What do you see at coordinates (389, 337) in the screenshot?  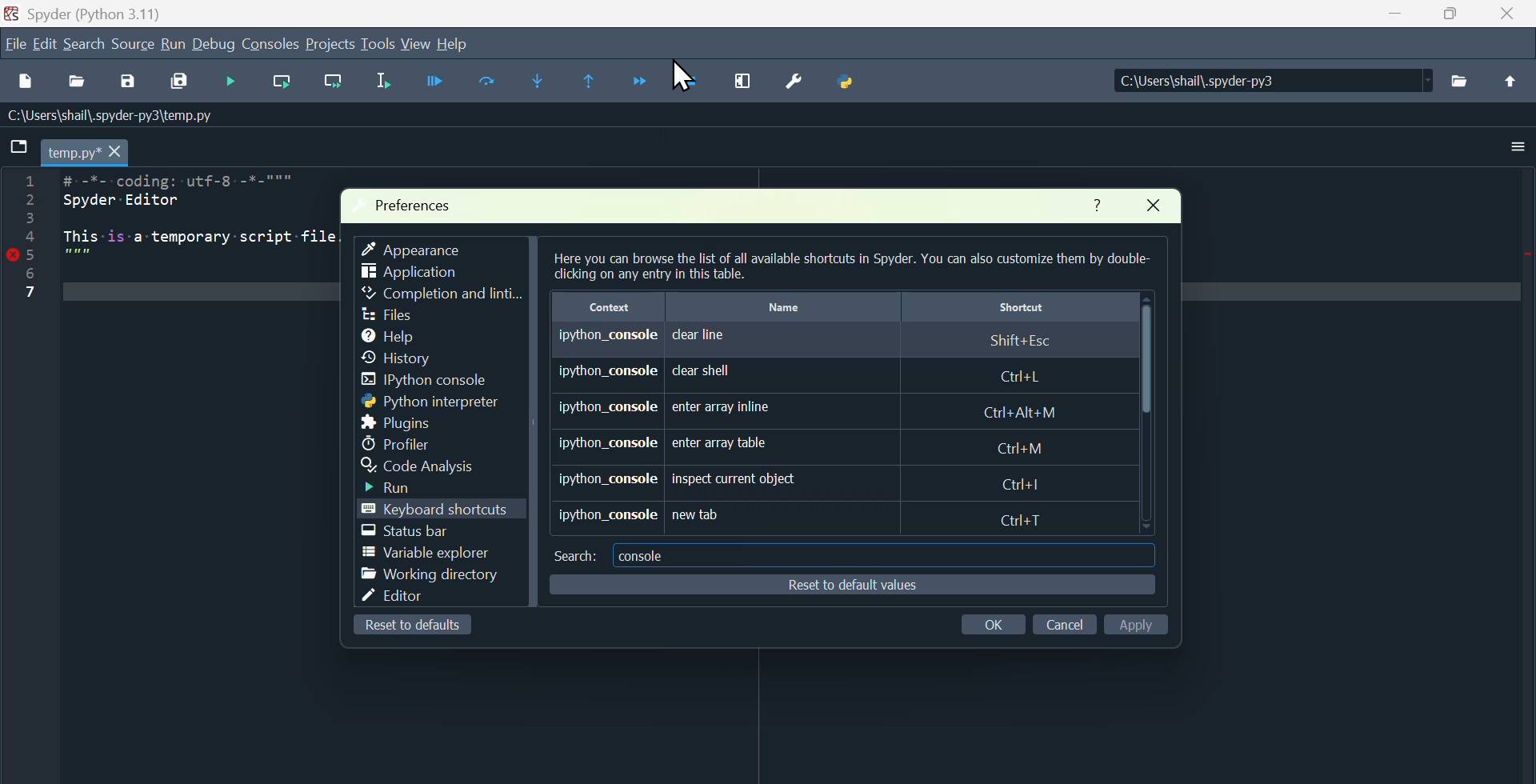 I see `help` at bounding box center [389, 337].